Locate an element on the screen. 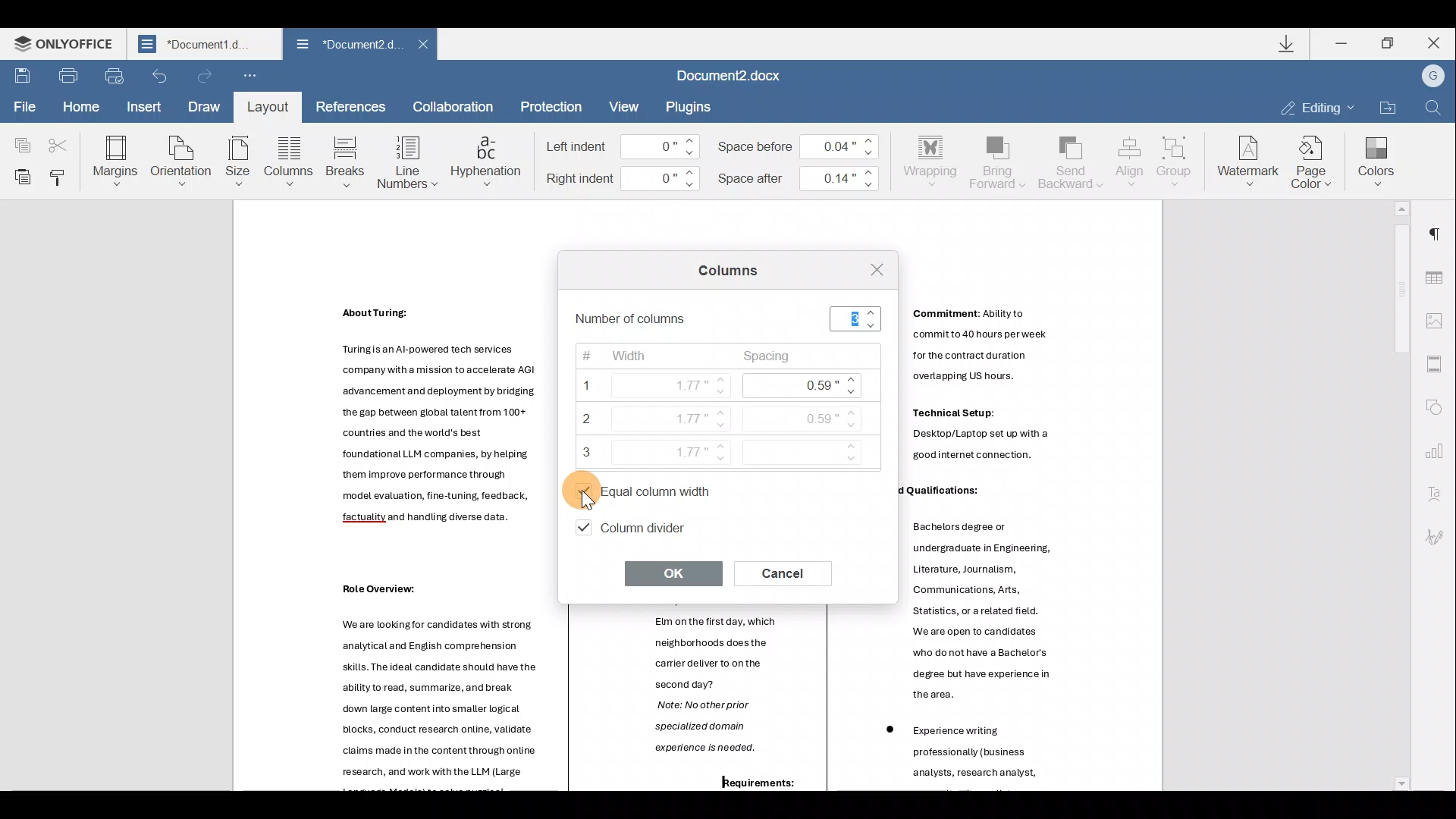 The width and height of the screenshot is (1456, 819). Close is located at coordinates (428, 46).